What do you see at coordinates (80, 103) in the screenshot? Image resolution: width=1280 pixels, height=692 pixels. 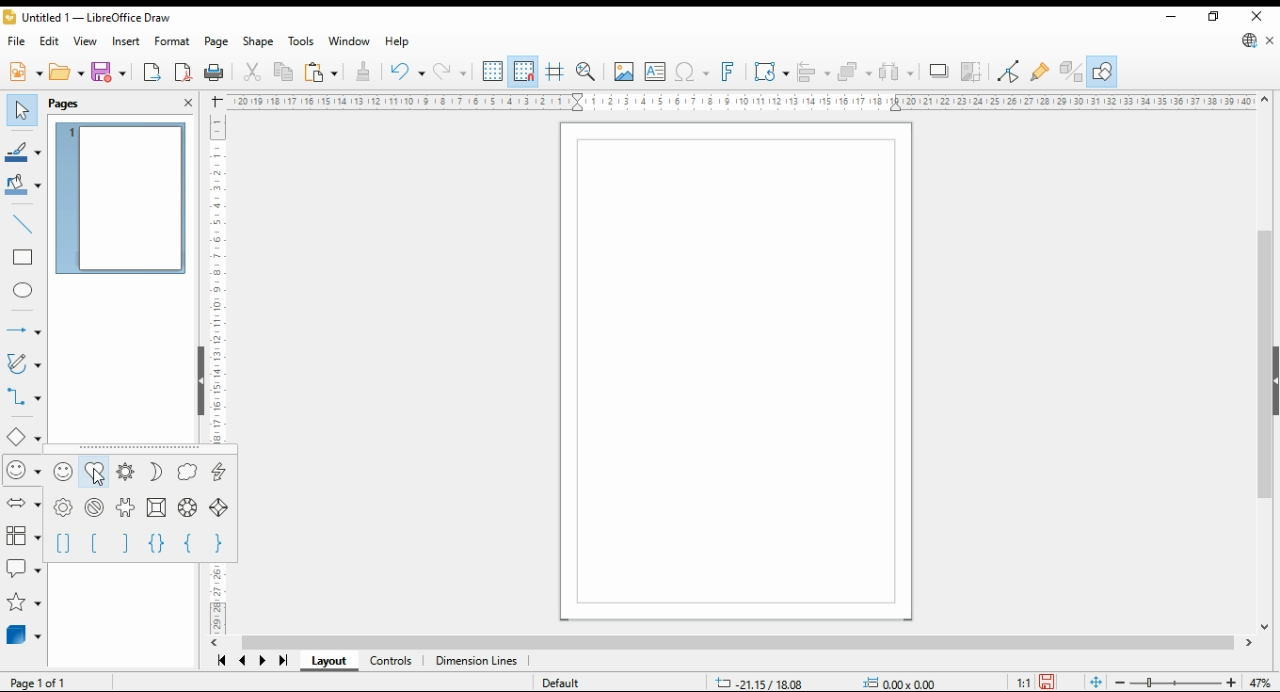 I see `pages` at bounding box center [80, 103].